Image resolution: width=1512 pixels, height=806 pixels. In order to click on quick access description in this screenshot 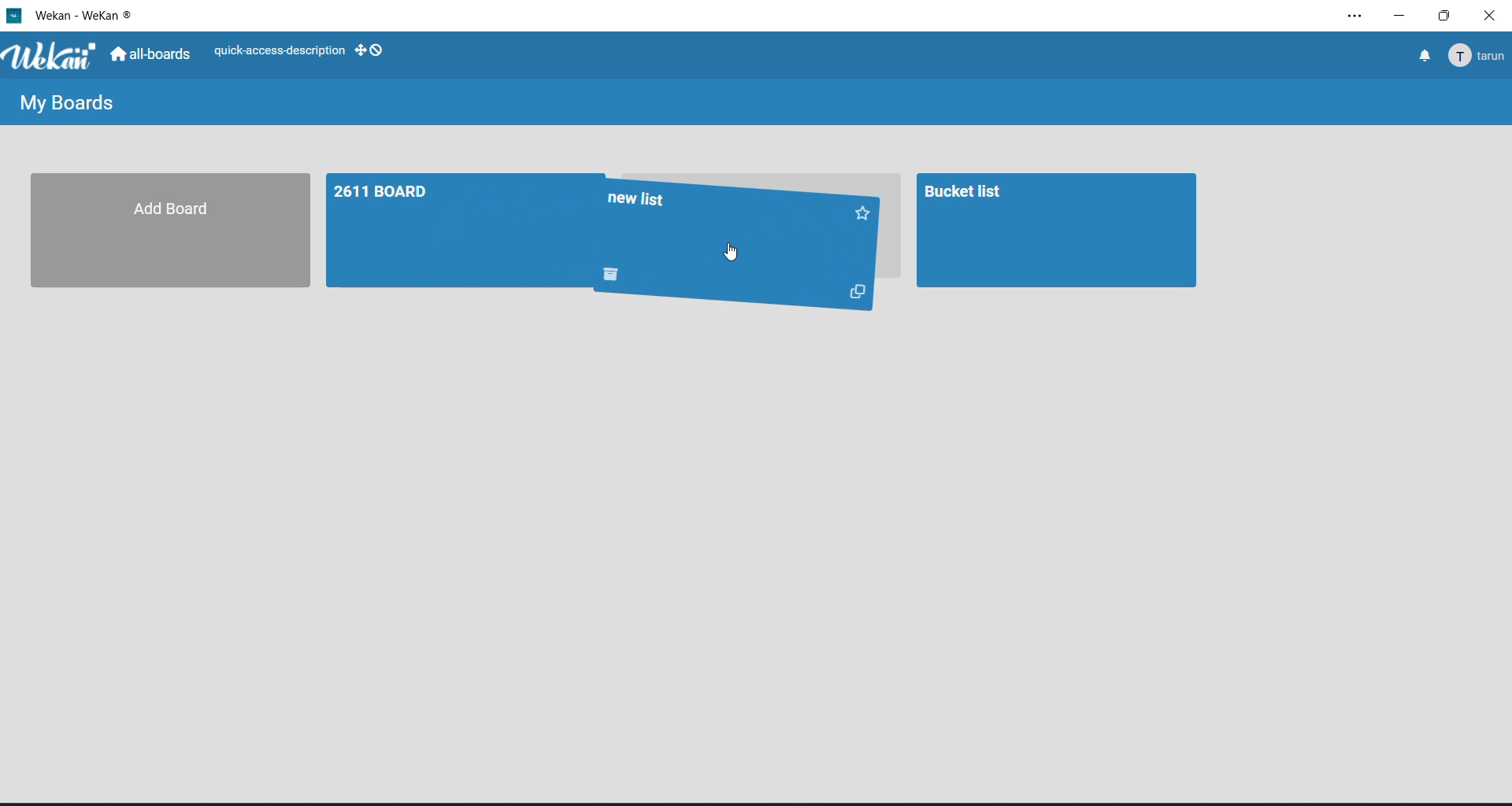, I will do `click(279, 54)`.